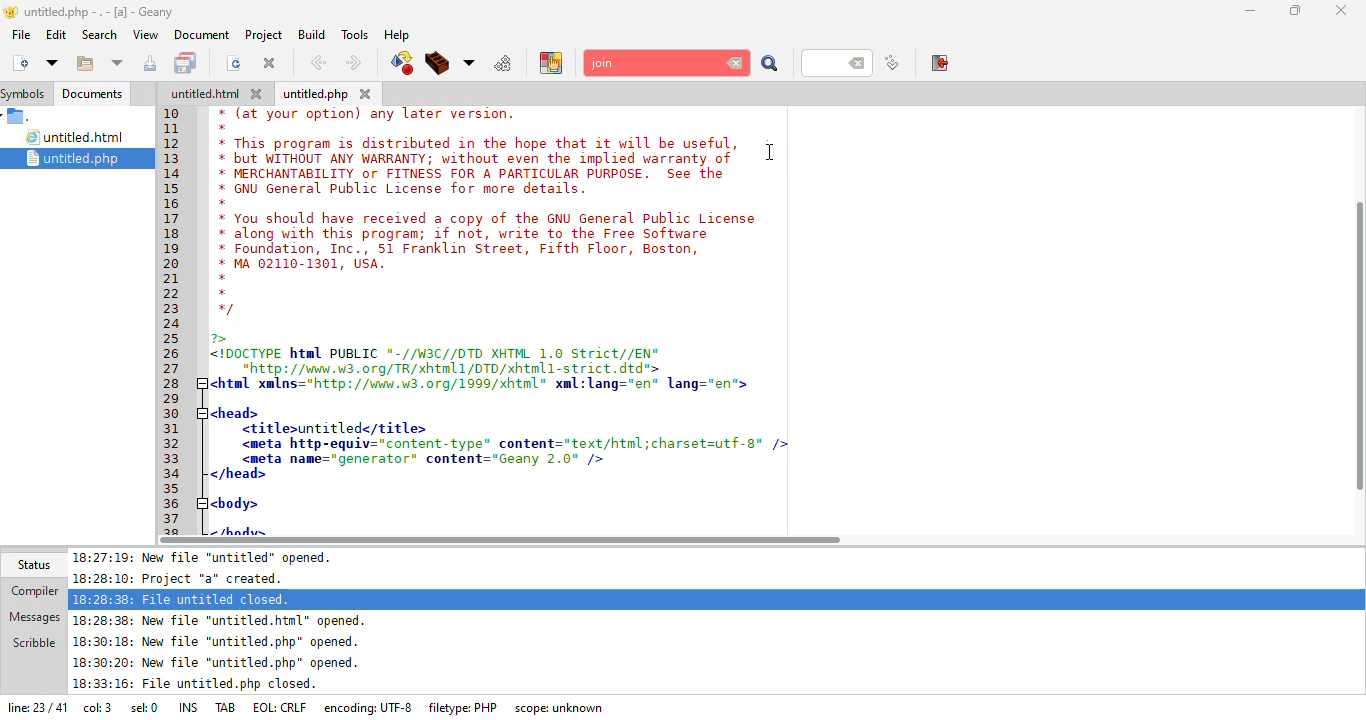 The image size is (1366, 720). Describe the element at coordinates (33, 615) in the screenshot. I see `messages` at that location.